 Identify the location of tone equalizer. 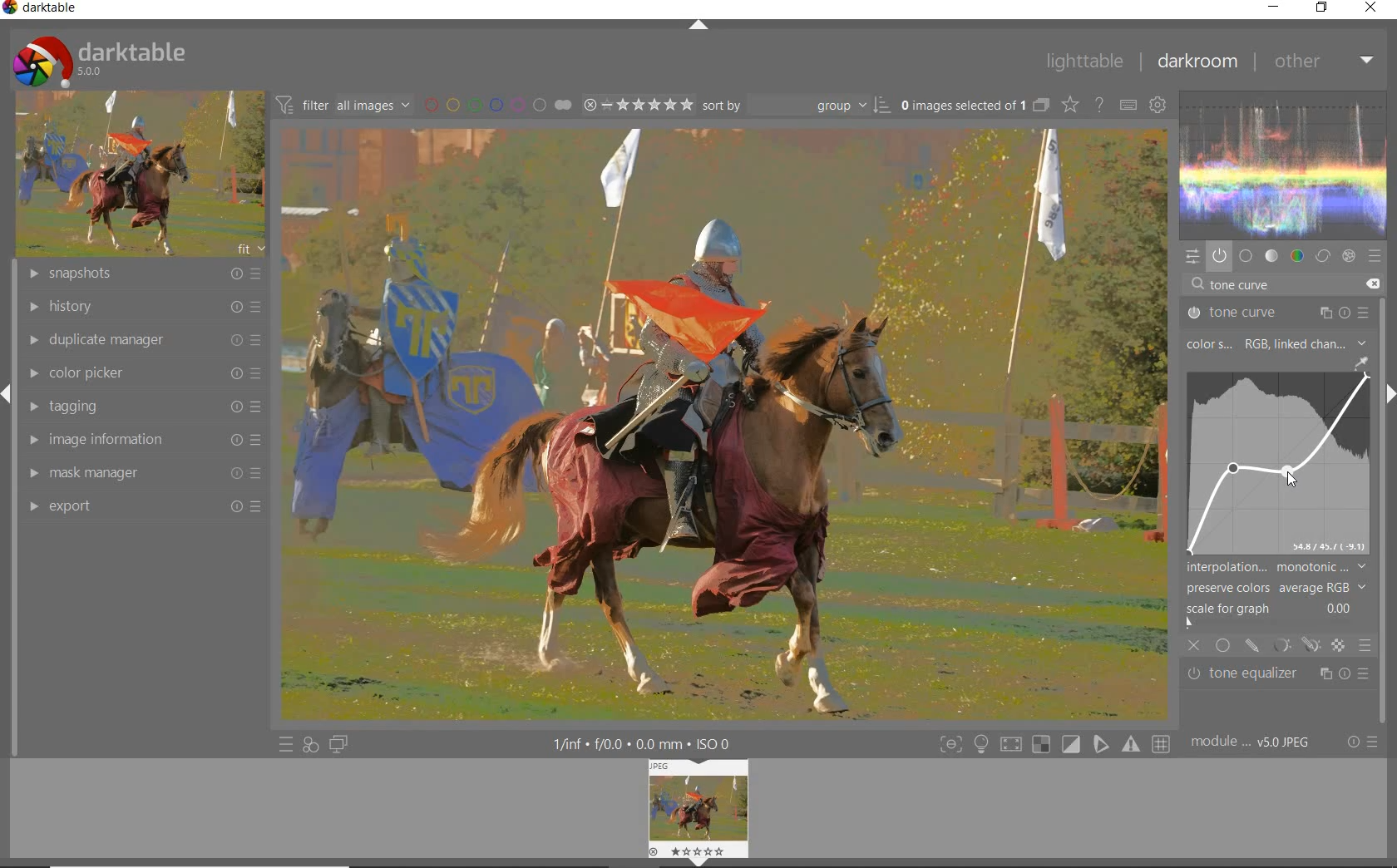
(1279, 674).